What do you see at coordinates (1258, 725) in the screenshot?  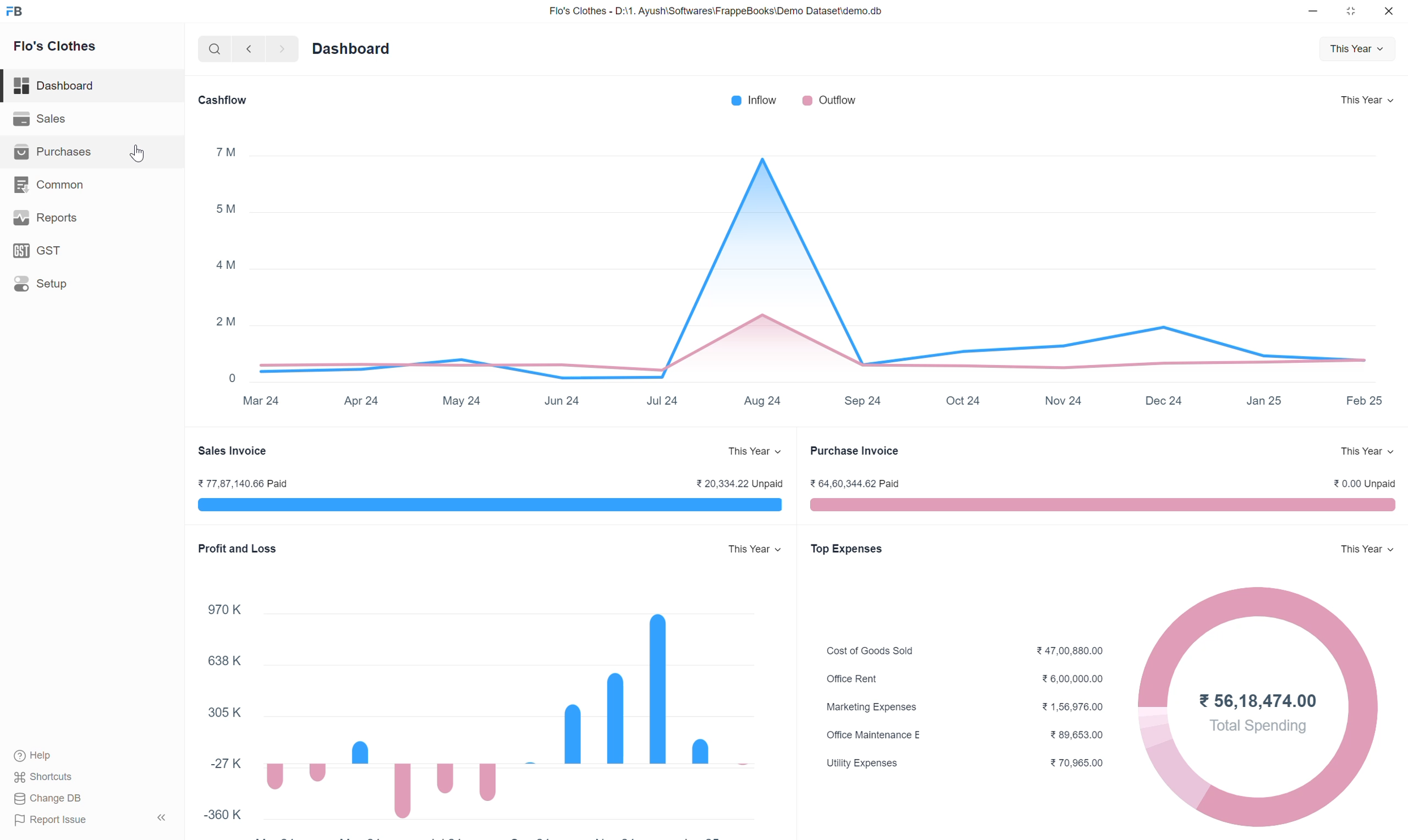 I see `Total Spending` at bounding box center [1258, 725].